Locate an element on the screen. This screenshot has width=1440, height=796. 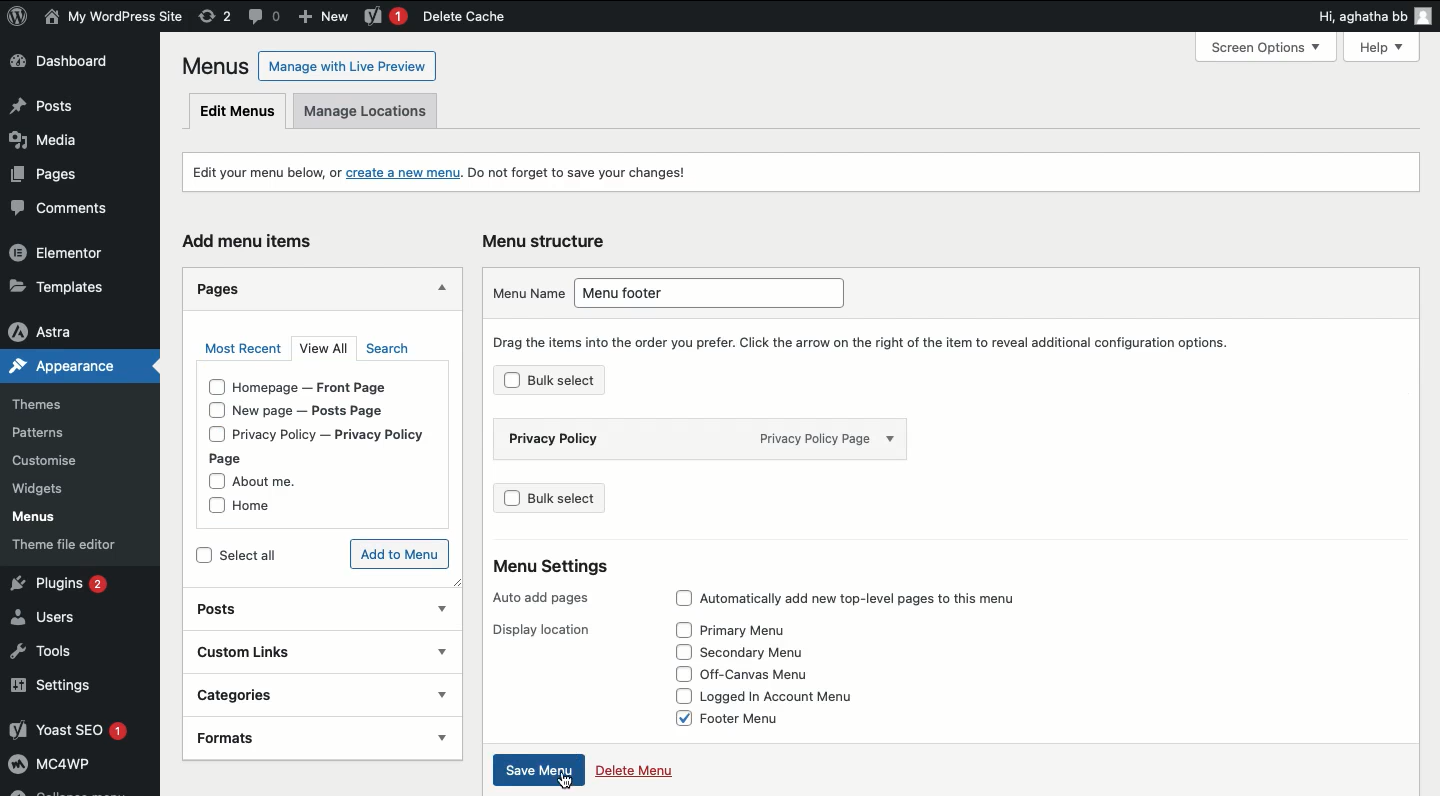
Homepage ~ Front page is located at coordinates (326, 387).